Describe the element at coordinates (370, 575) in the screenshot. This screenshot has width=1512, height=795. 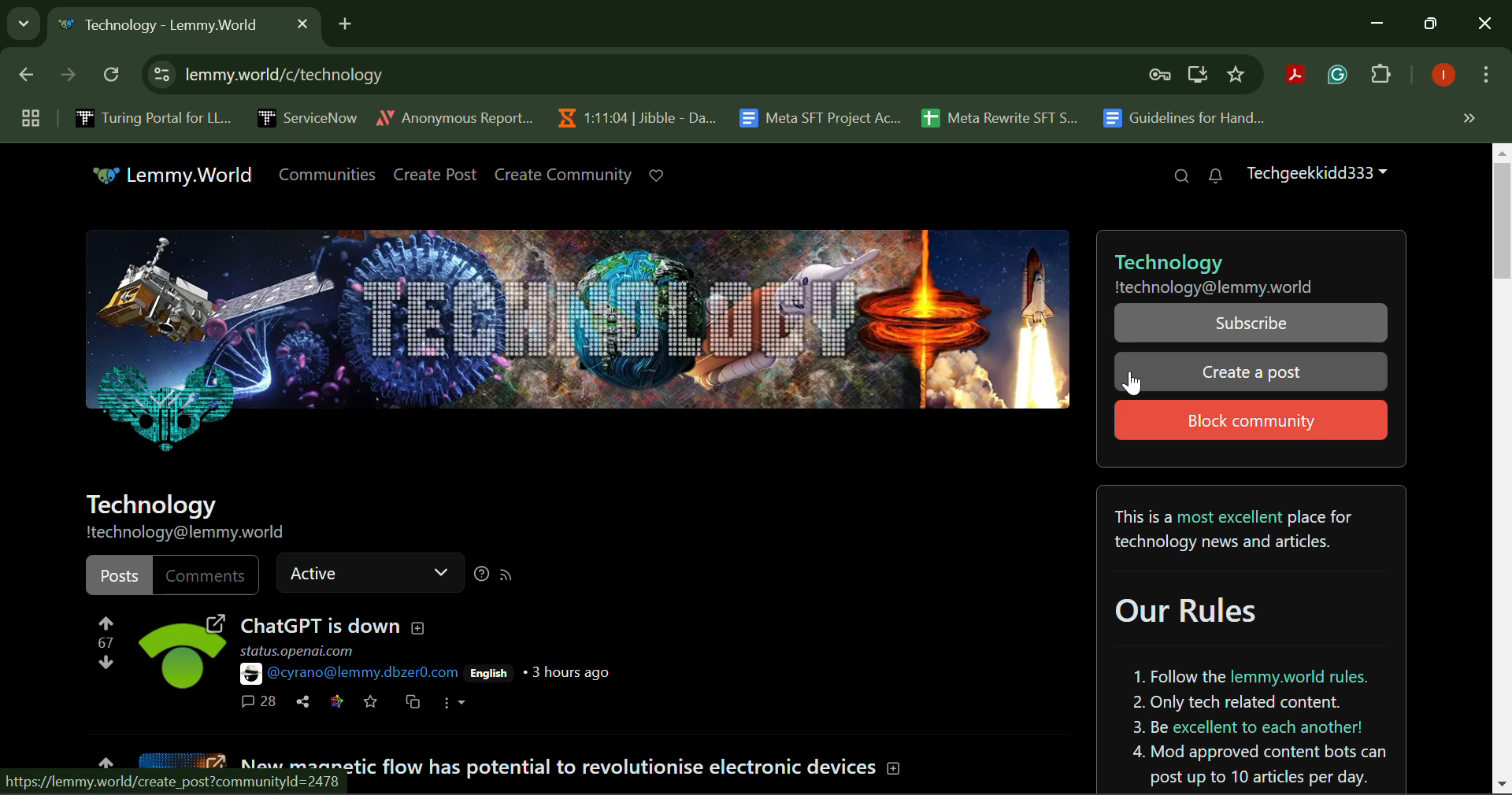
I see `Active Status Bar` at that location.